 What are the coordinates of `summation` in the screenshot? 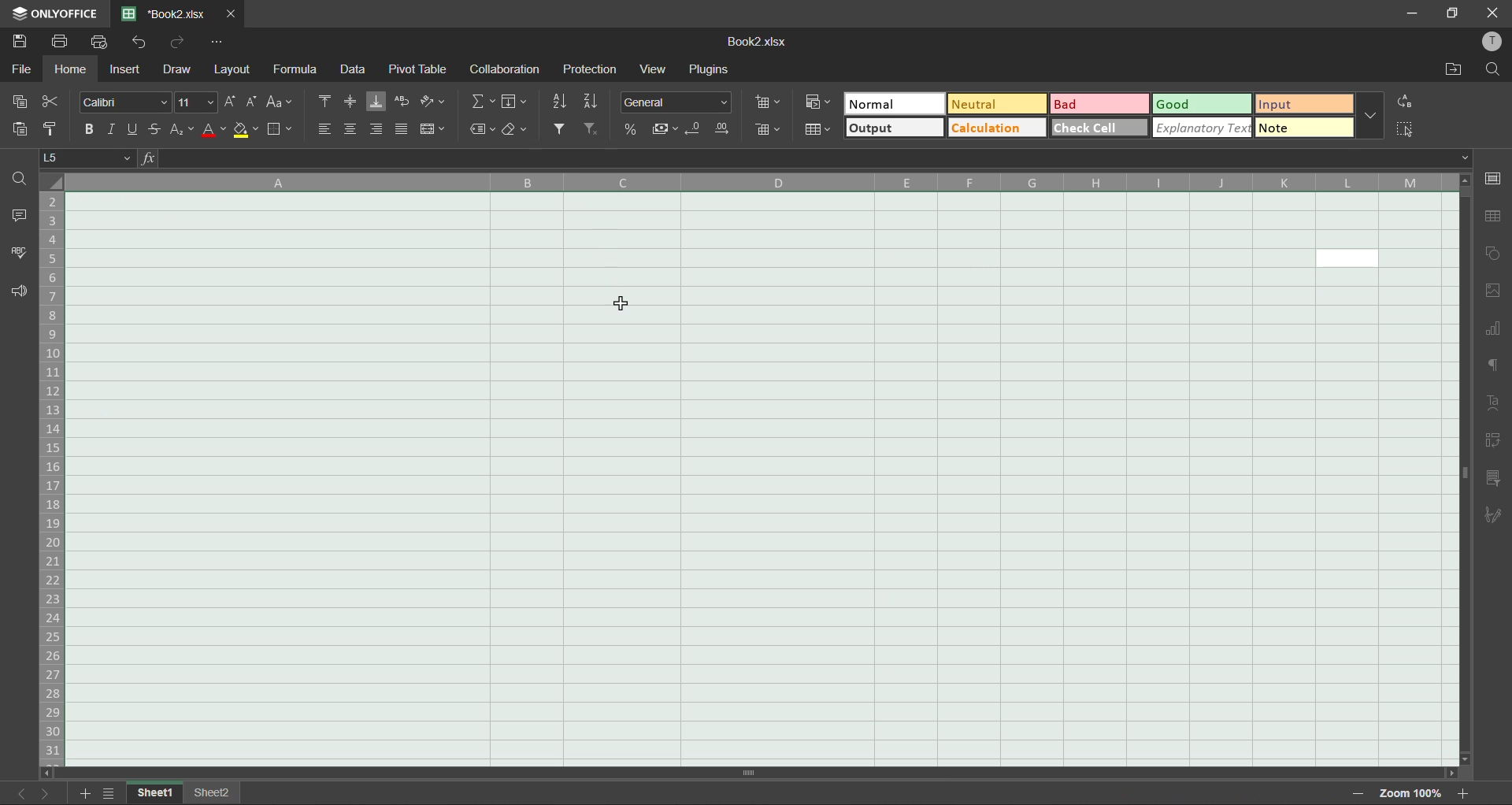 It's located at (479, 104).